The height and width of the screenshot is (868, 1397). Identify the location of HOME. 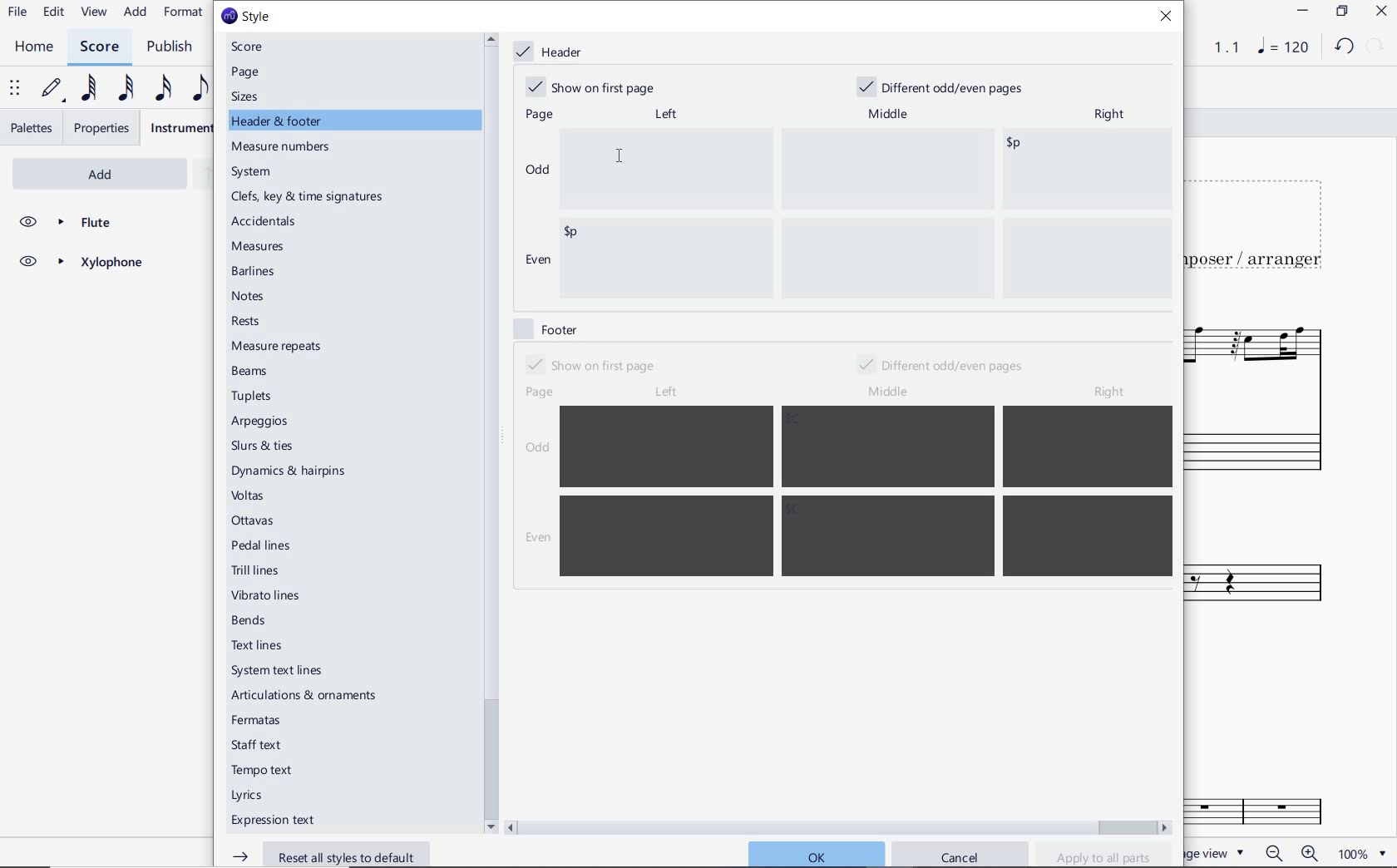
(34, 47).